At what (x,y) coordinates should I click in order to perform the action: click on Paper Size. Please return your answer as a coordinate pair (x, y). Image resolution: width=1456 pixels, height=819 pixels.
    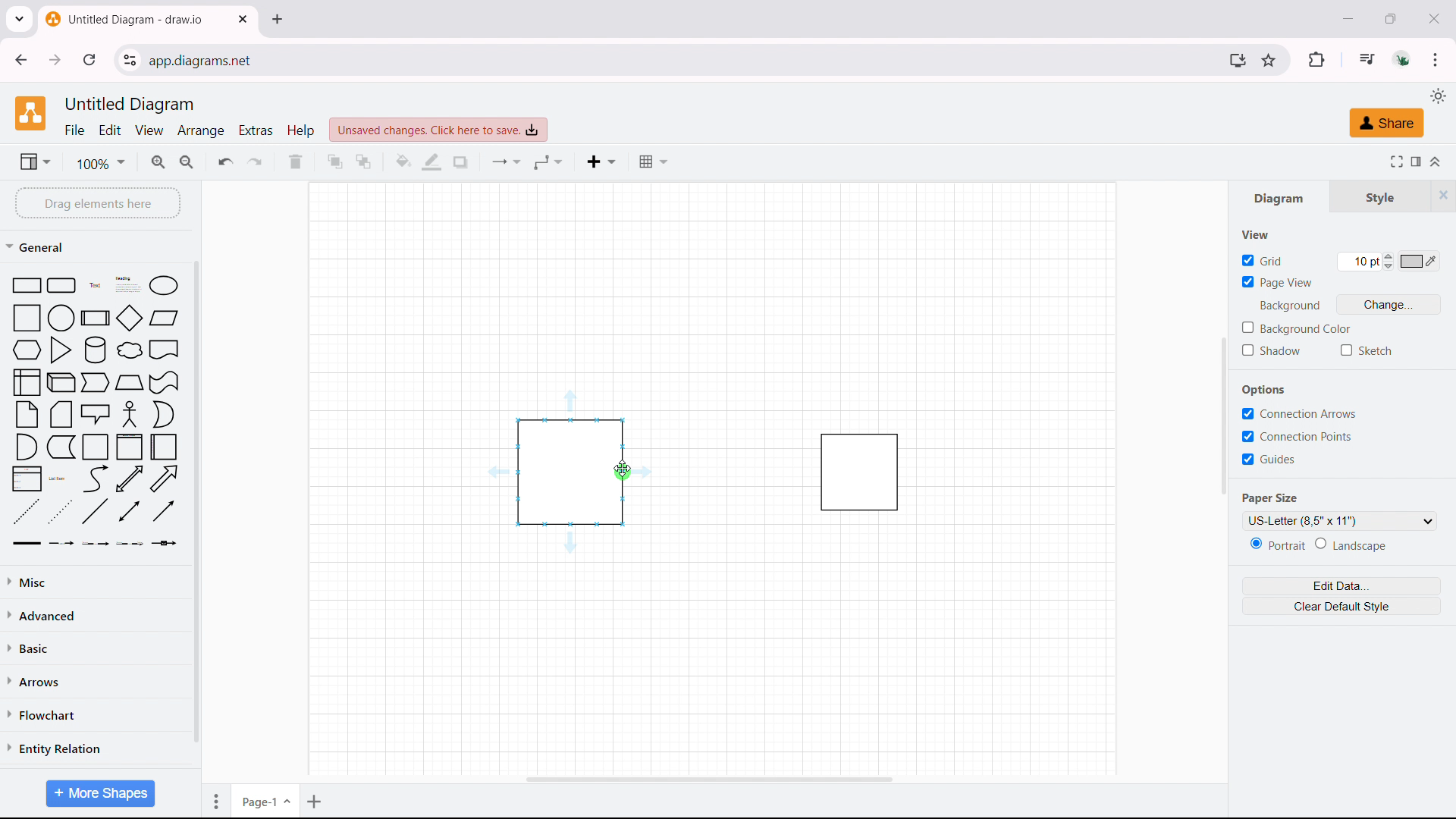
    Looking at the image, I should click on (1278, 499).